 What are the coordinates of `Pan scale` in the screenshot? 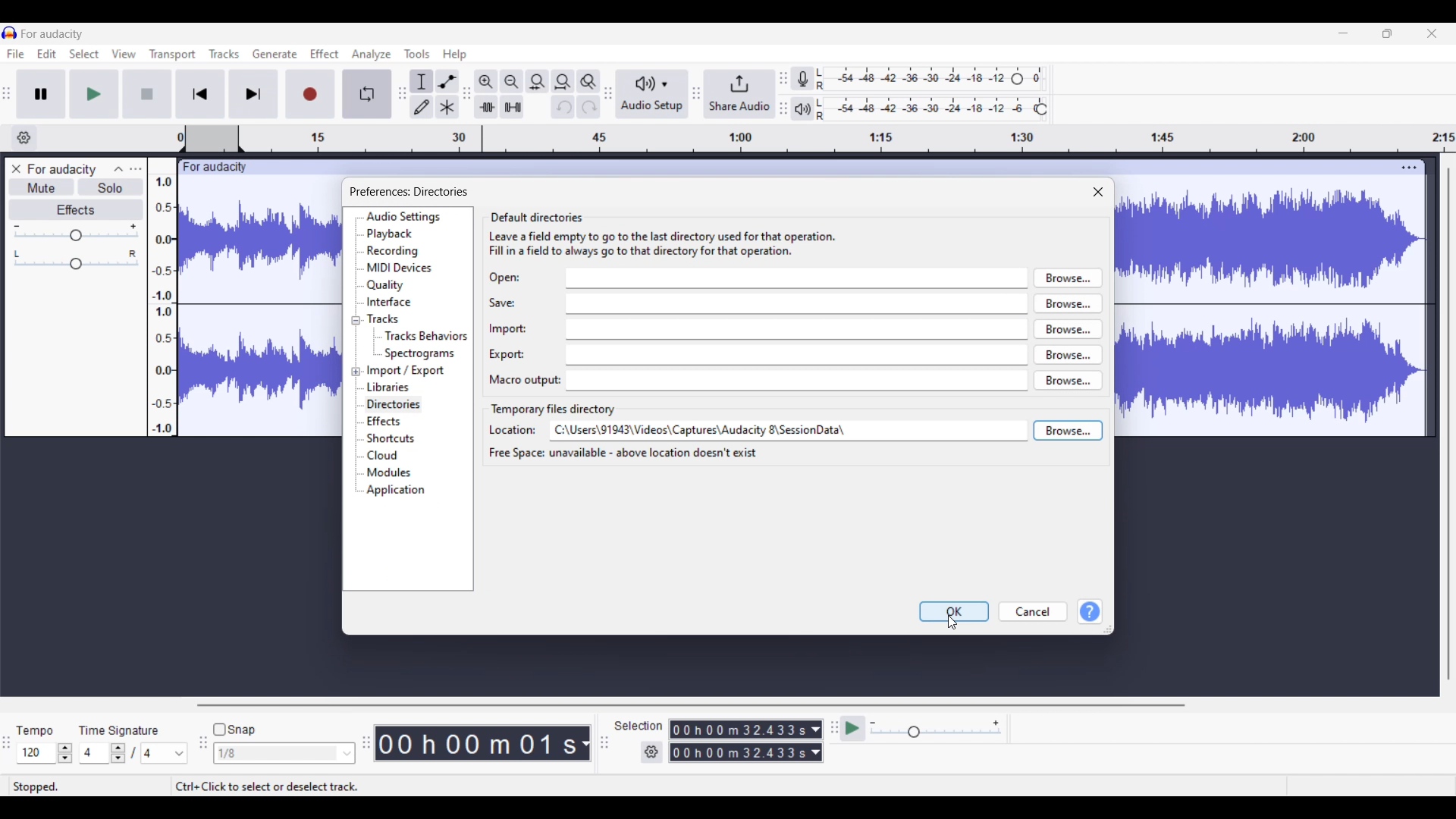 It's located at (76, 260).